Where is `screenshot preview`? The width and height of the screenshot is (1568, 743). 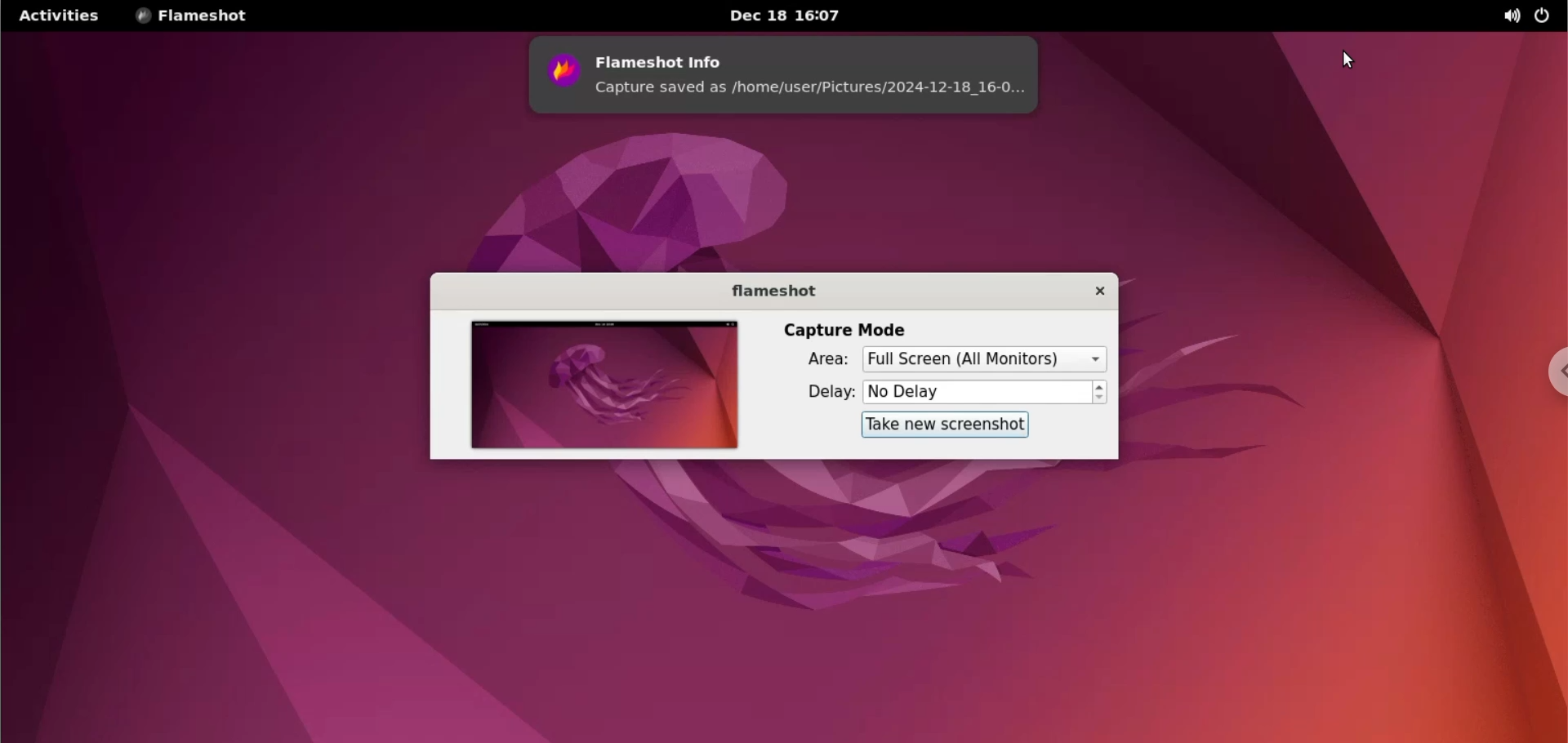
screenshot preview is located at coordinates (597, 385).